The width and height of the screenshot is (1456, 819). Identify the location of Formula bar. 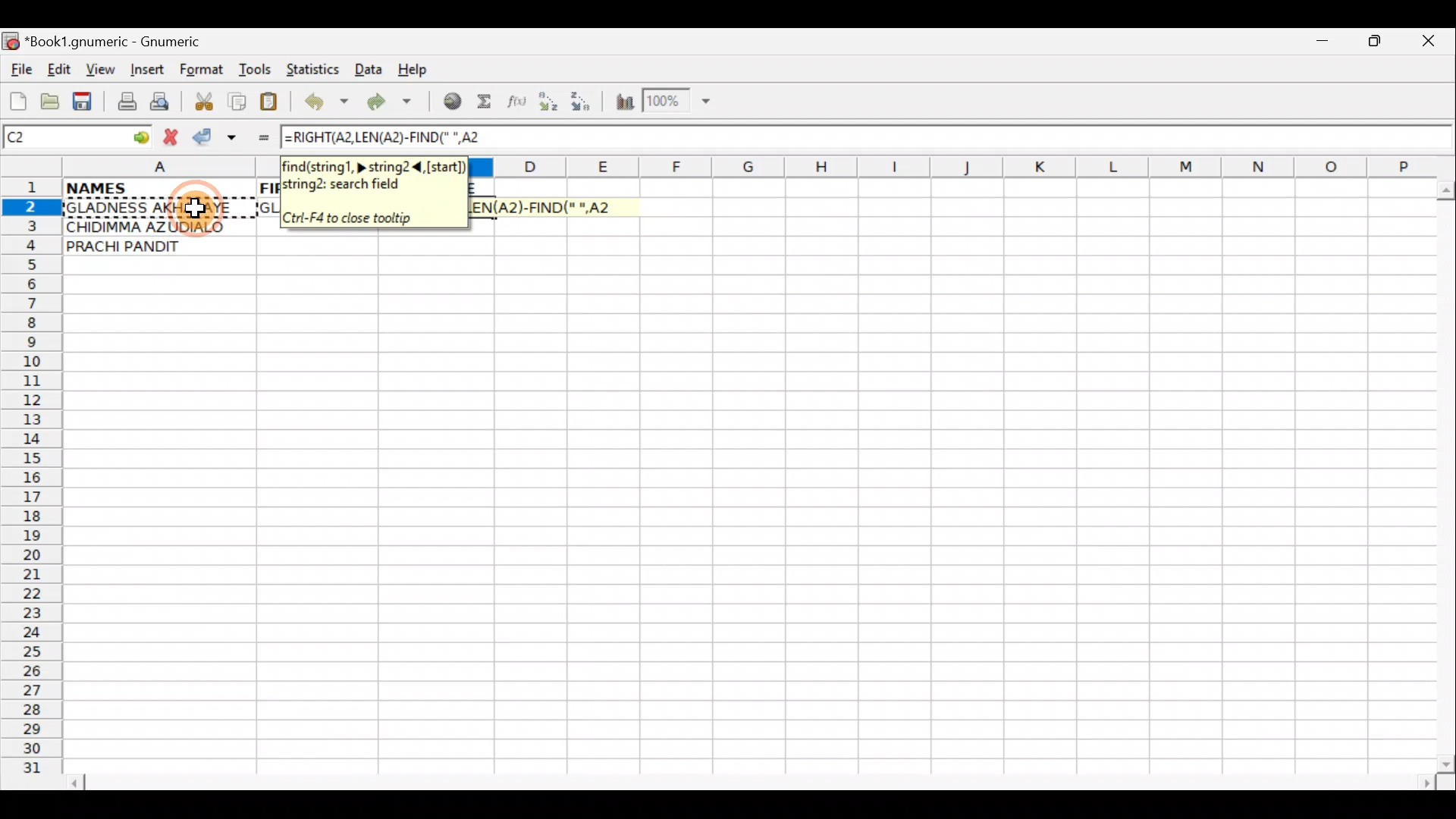
(980, 137).